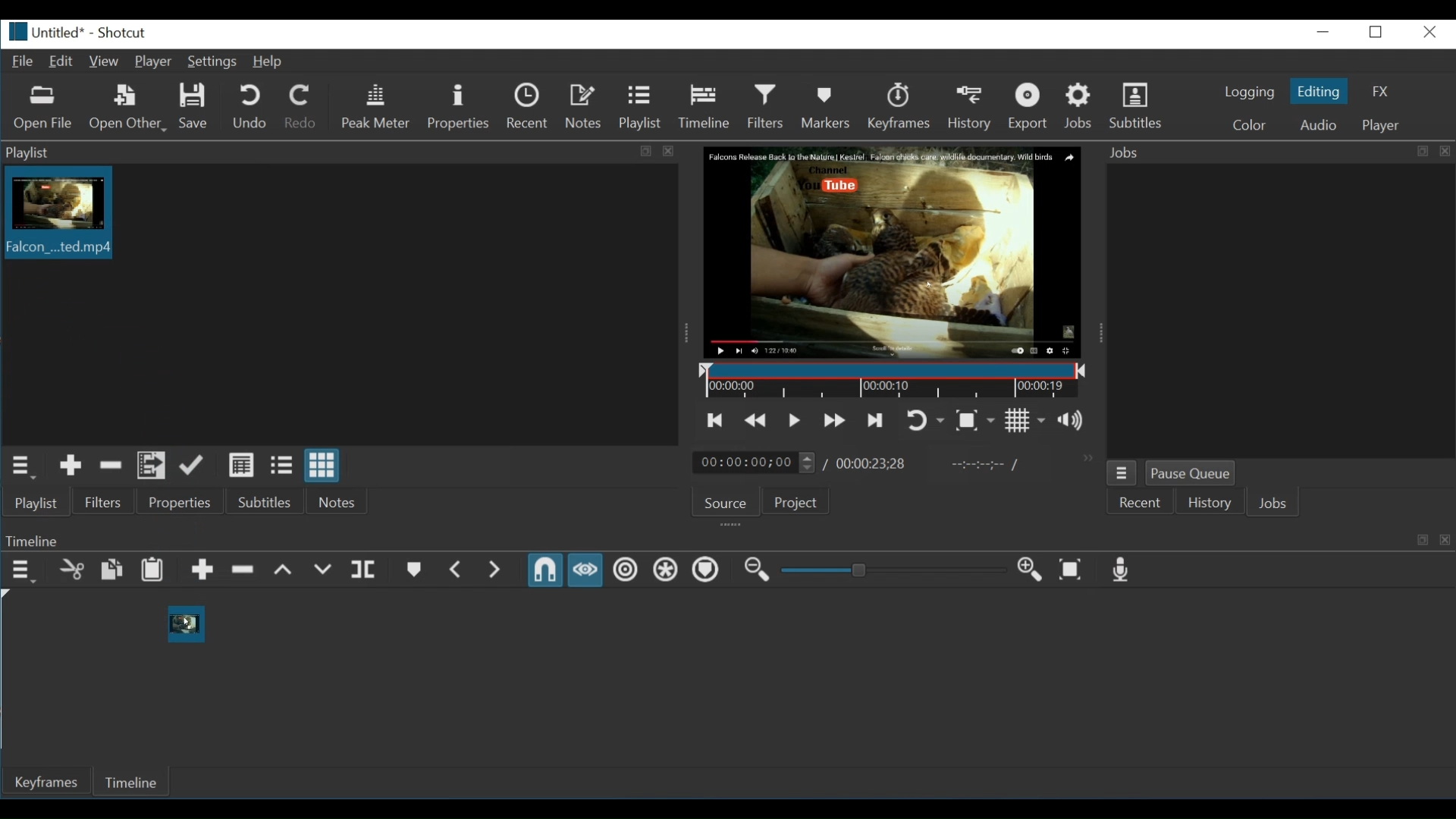 This screenshot has height=819, width=1456. I want to click on Source, so click(726, 504).